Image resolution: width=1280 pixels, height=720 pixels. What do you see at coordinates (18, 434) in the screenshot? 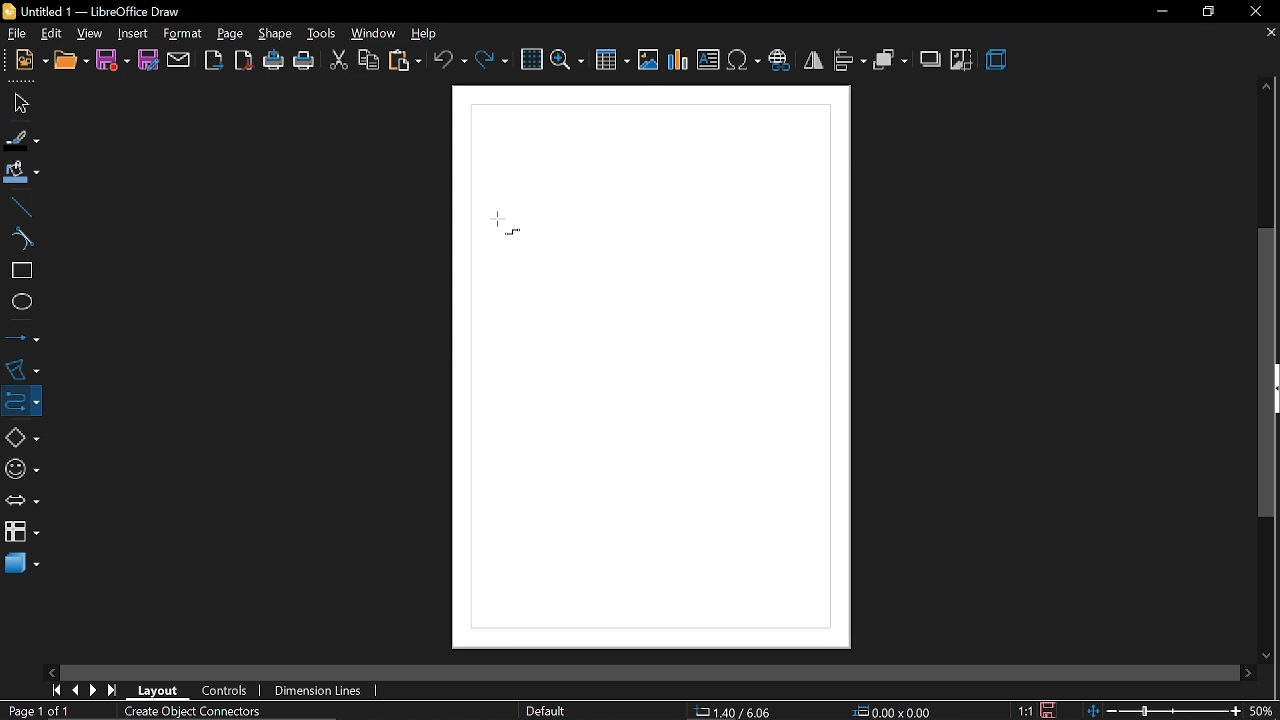
I see `basic shapes` at bounding box center [18, 434].